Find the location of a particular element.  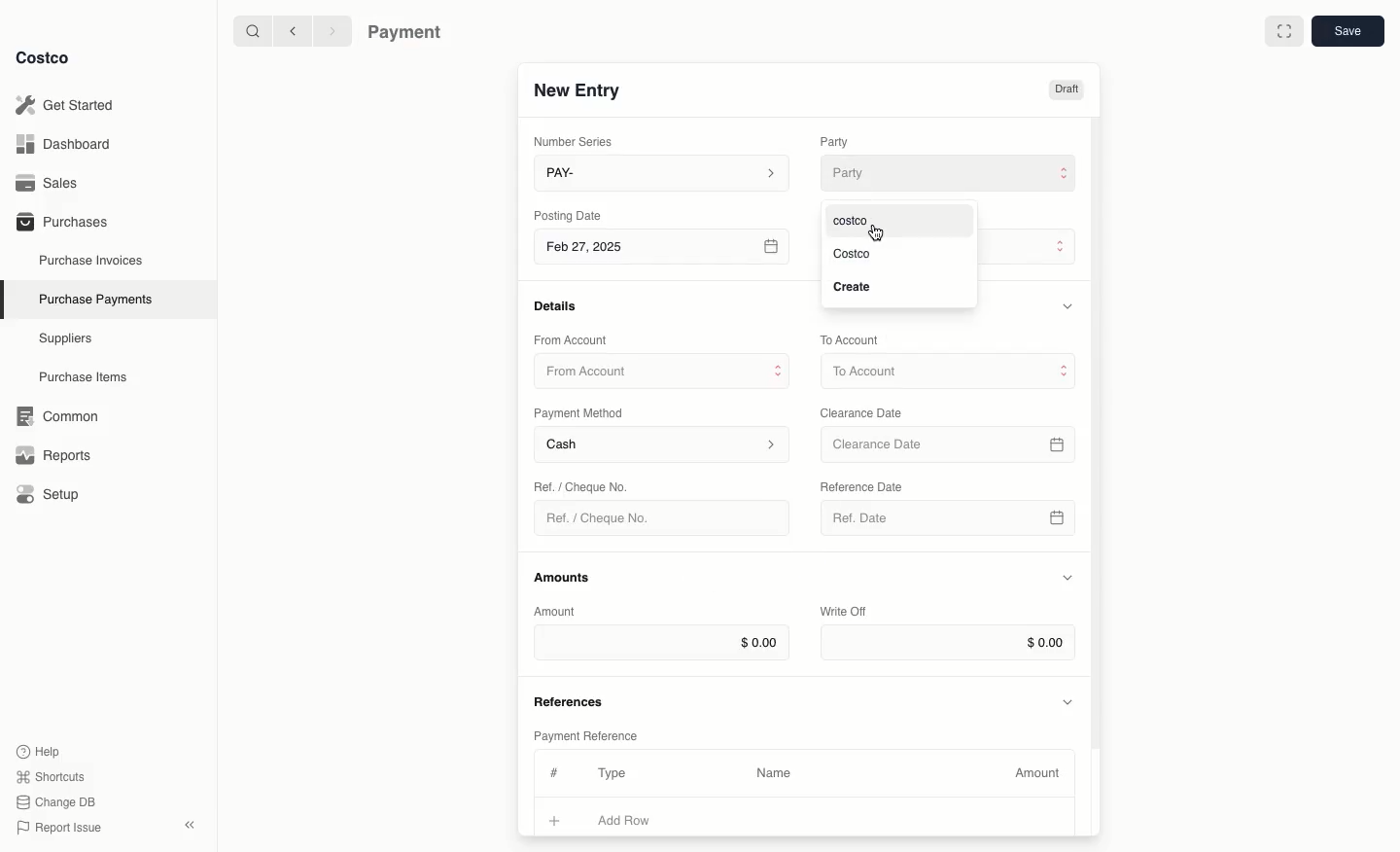

From Account is located at coordinates (571, 339).